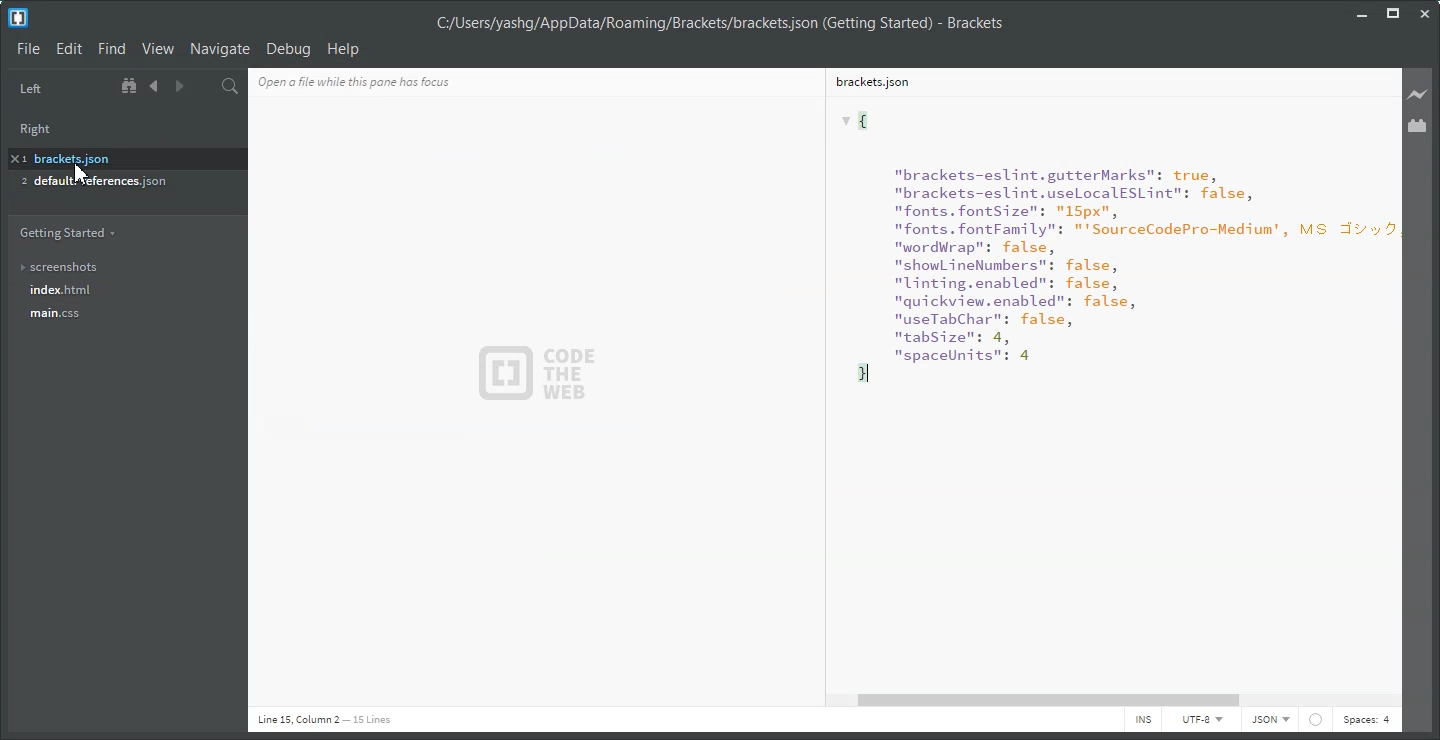 The image size is (1440, 740). What do you see at coordinates (1103, 81) in the screenshot?
I see `brackets.json File` at bounding box center [1103, 81].